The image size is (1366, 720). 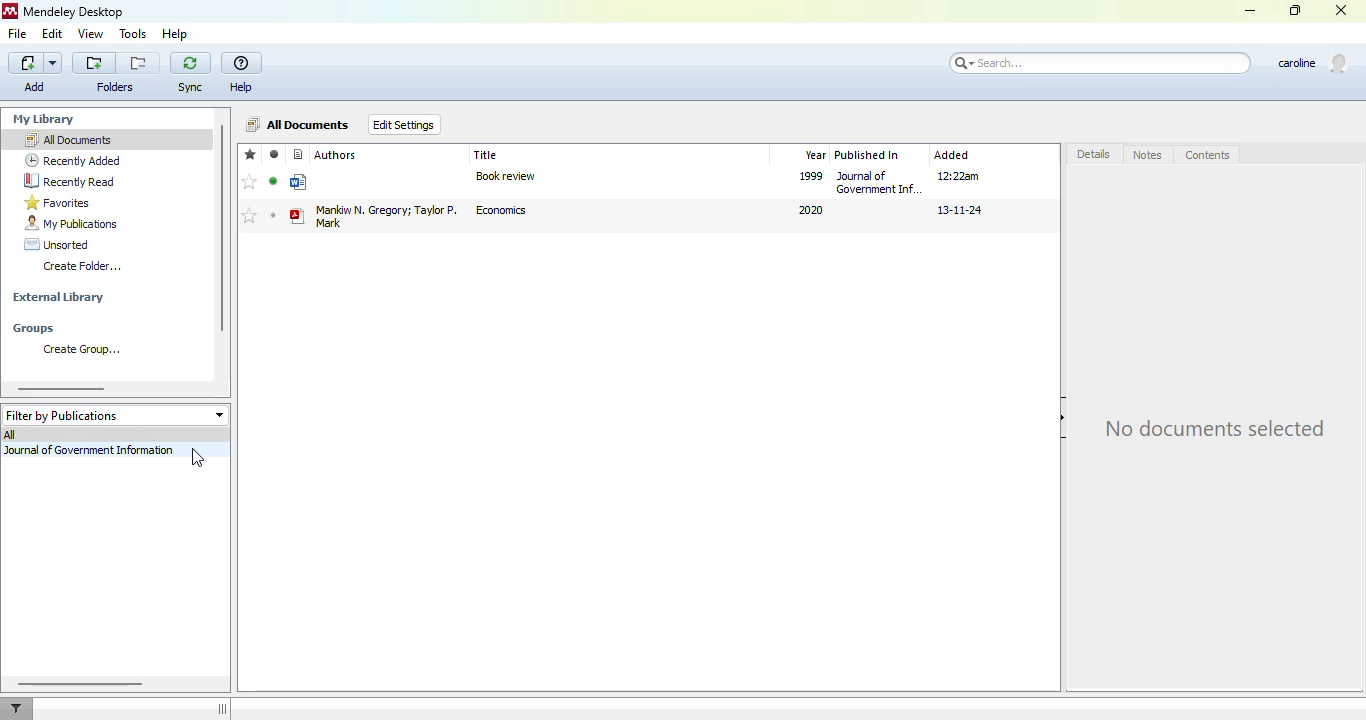 What do you see at coordinates (300, 183) in the screenshot?
I see `generic` at bounding box center [300, 183].